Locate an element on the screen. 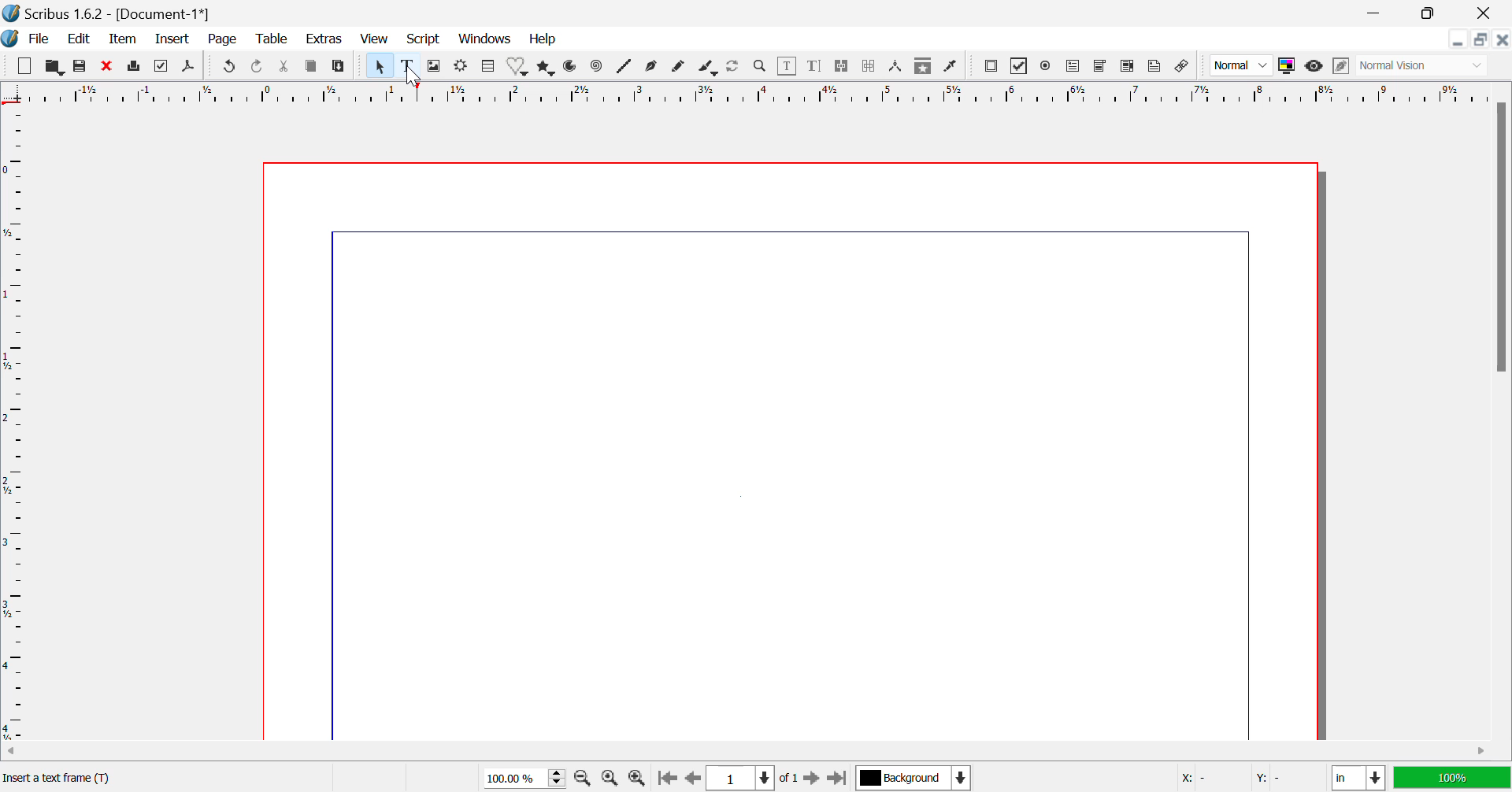 This screenshot has width=1512, height=792. Y: - is located at coordinates (1282, 778).